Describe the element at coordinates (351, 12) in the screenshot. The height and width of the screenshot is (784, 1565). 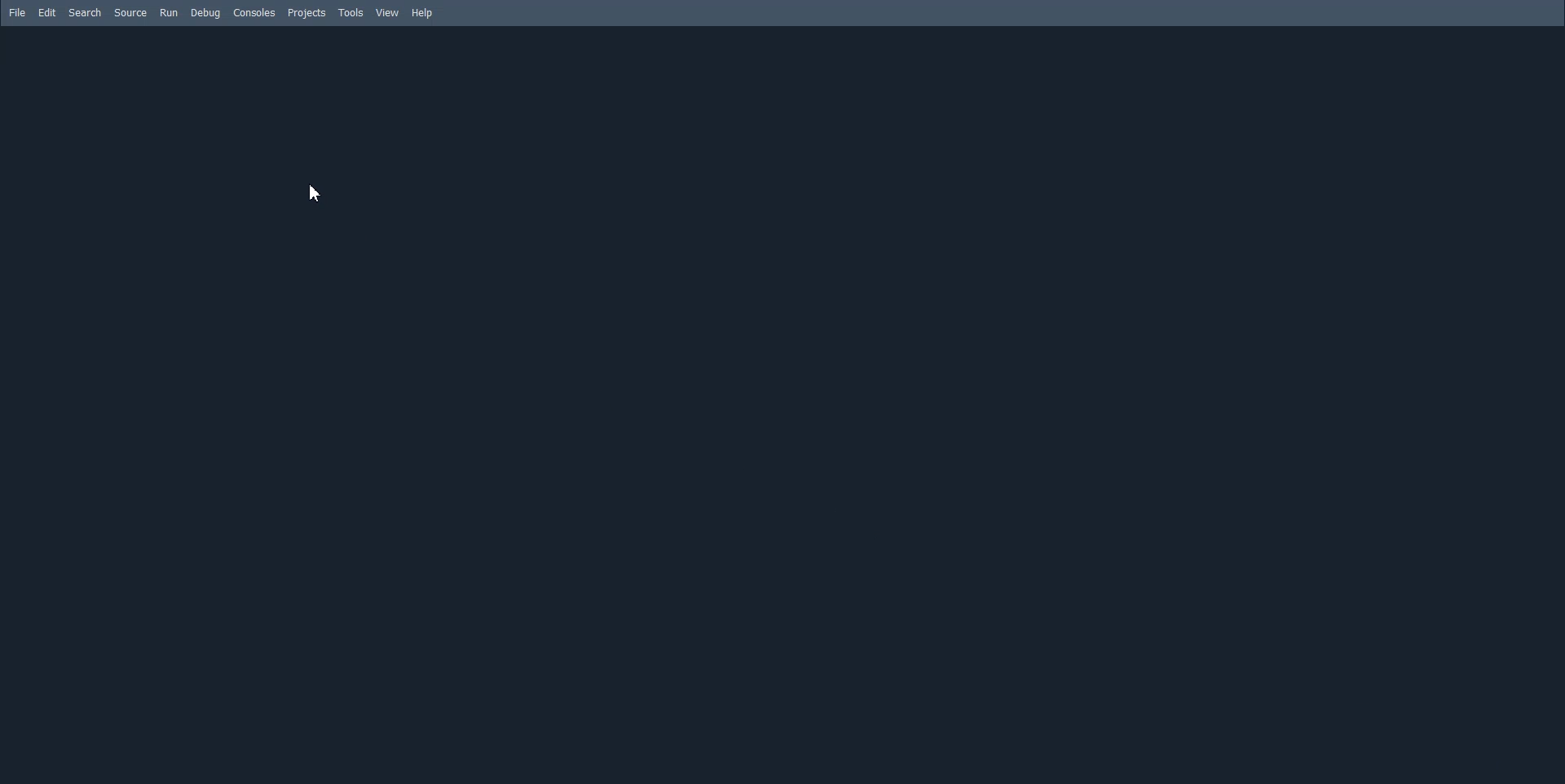
I see `Tools` at that location.